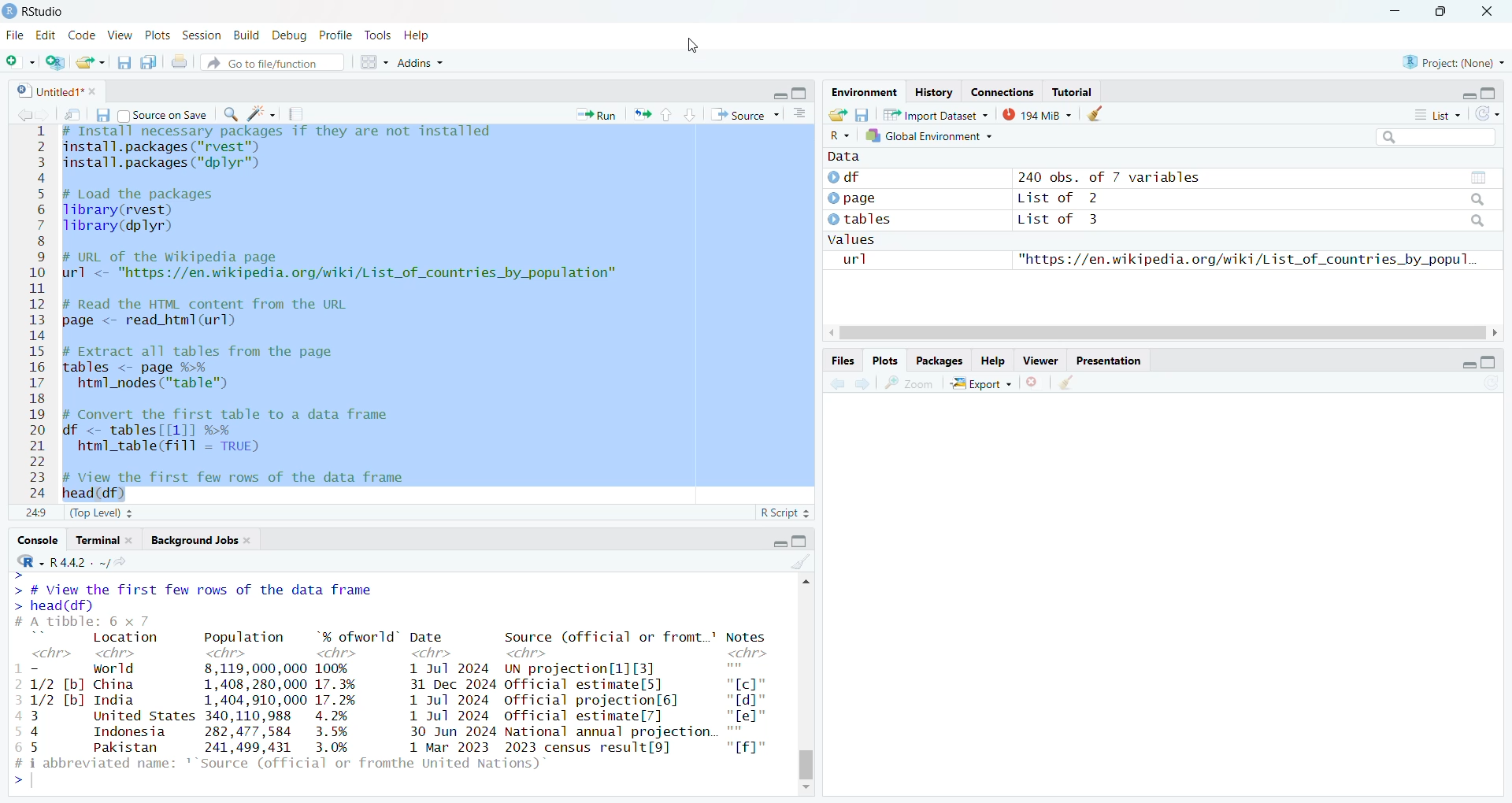 The height and width of the screenshot is (803, 1512). Describe the element at coordinates (854, 199) in the screenshot. I see `page` at that location.